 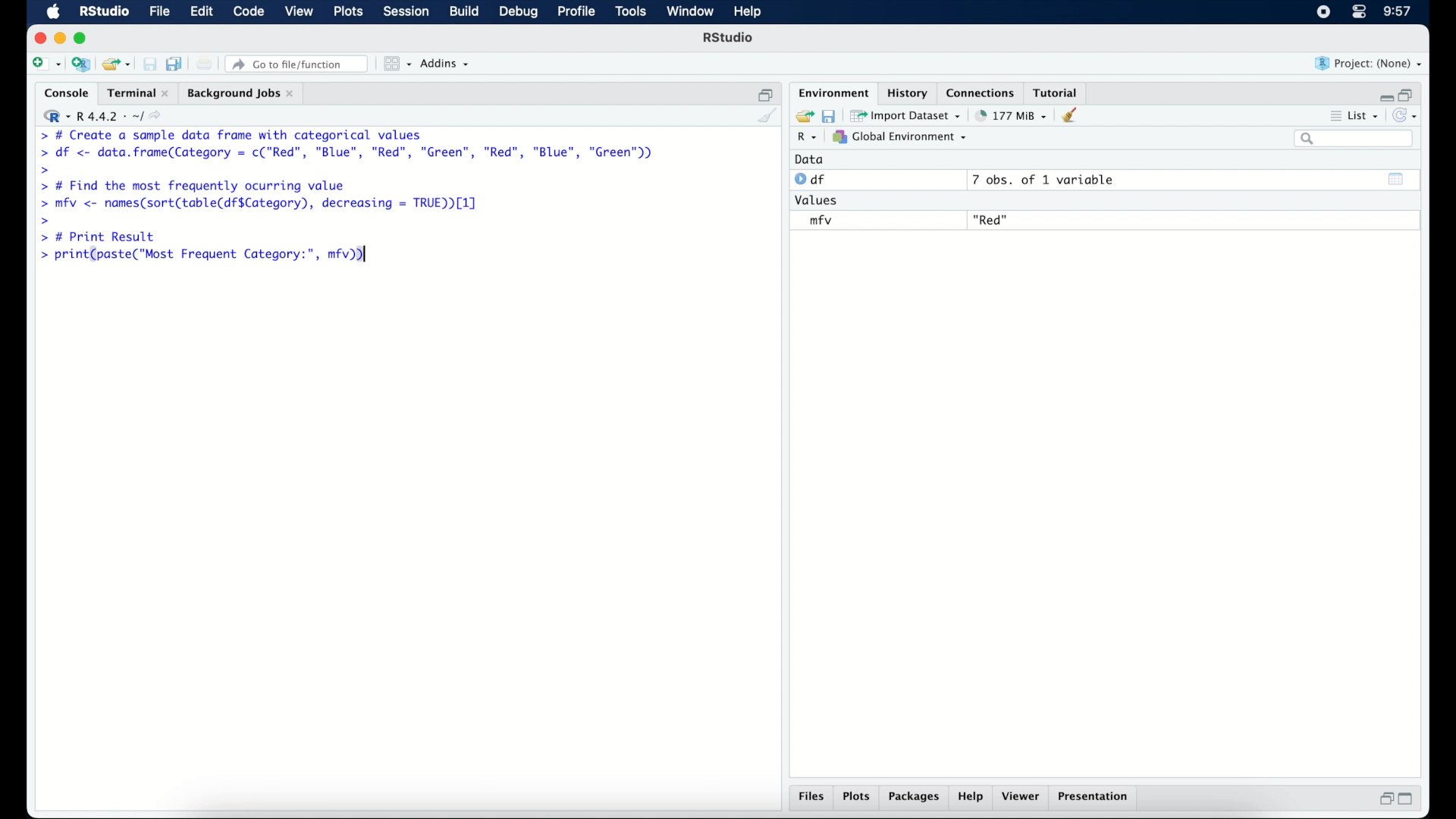 What do you see at coordinates (349, 153) in the screenshot?
I see `> df <- data.frame(Category = c("Red”, "Blue", "Red", "Green", "Red", "Blue", "Green"))|` at bounding box center [349, 153].